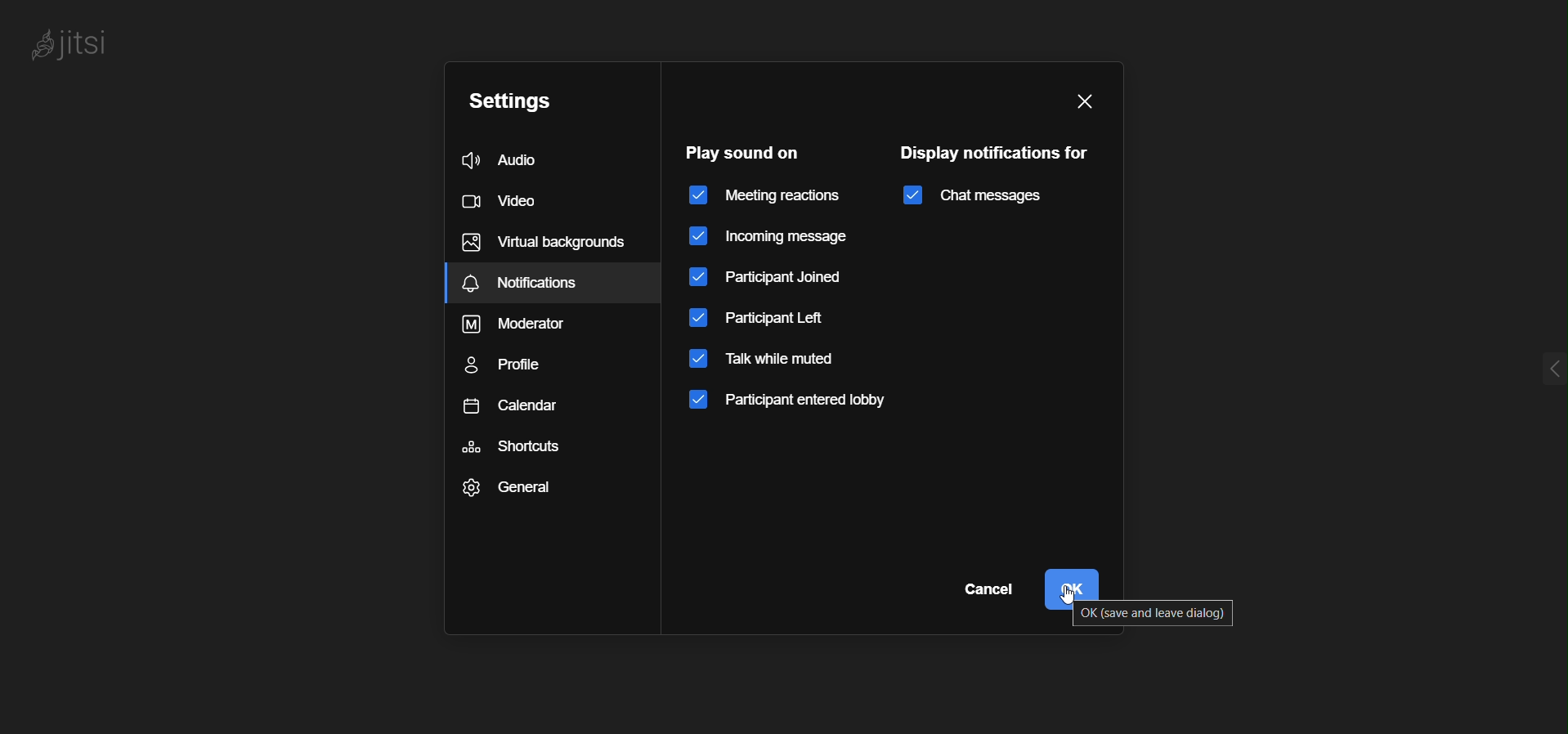 This screenshot has height=734, width=1568. Describe the element at coordinates (765, 195) in the screenshot. I see `meeting reactions` at that location.